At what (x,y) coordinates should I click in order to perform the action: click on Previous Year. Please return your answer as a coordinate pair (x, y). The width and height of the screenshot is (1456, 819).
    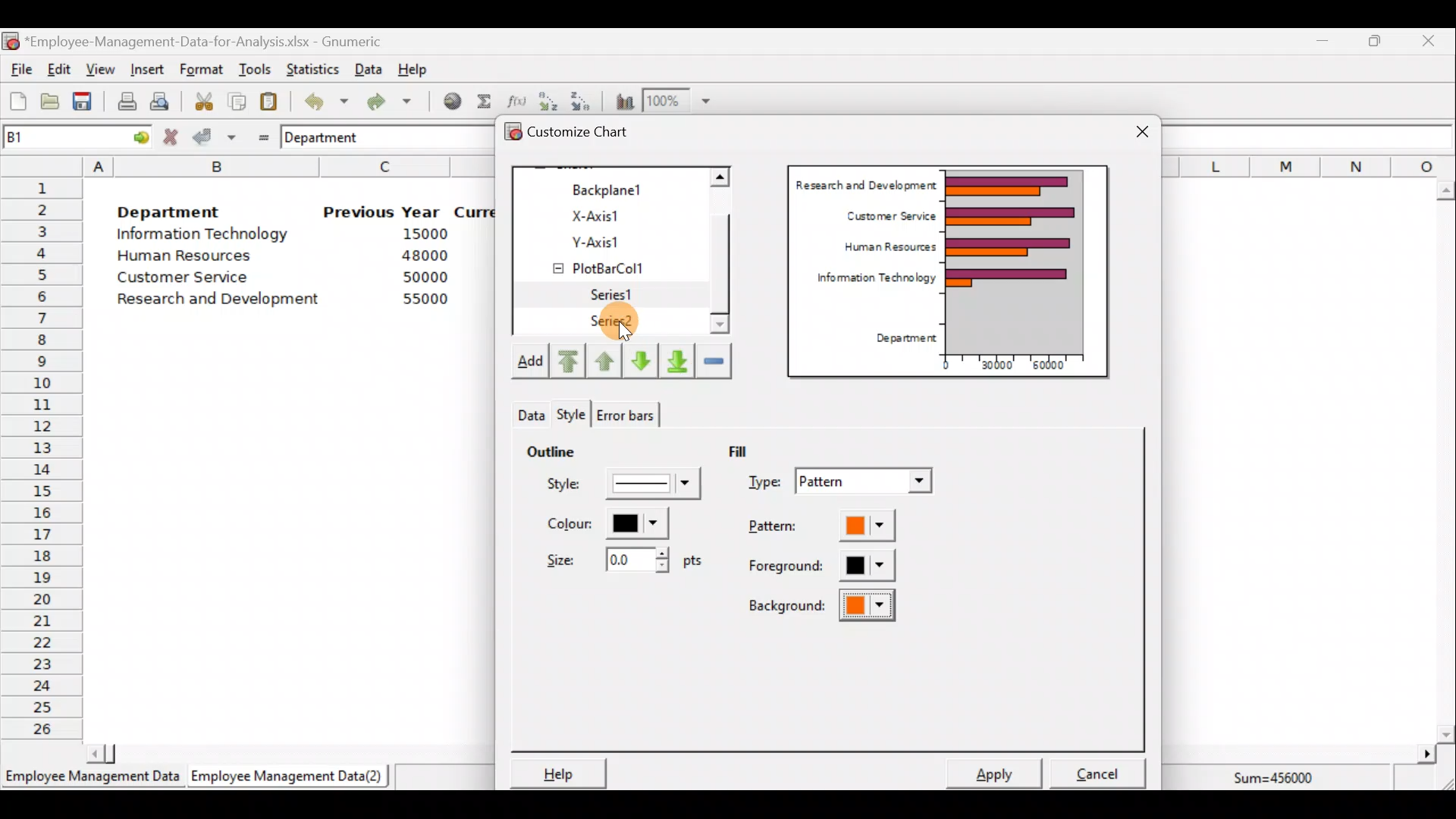
    Looking at the image, I should click on (382, 212).